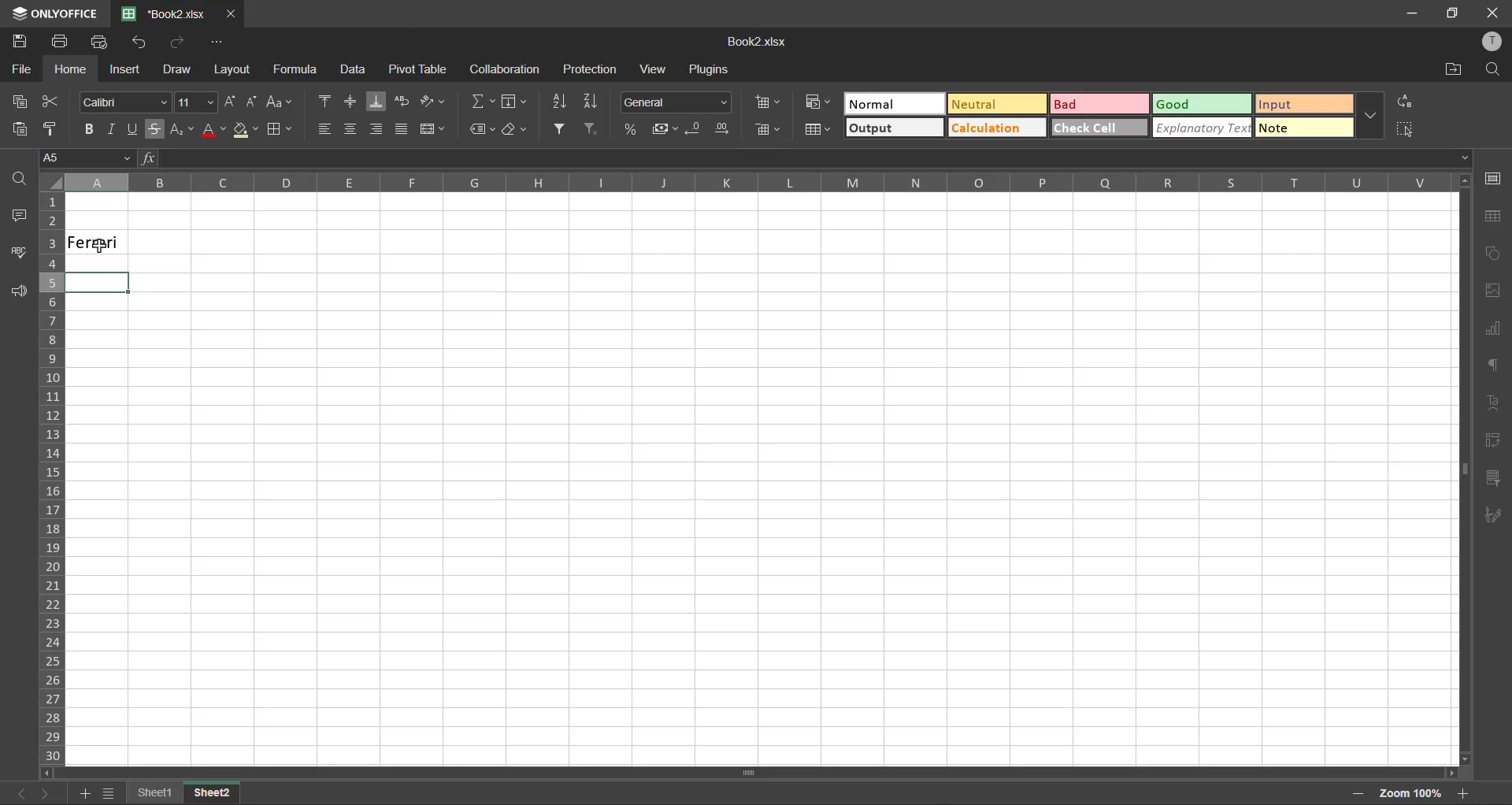 This screenshot has width=1512, height=805. What do you see at coordinates (16, 70) in the screenshot?
I see `file` at bounding box center [16, 70].